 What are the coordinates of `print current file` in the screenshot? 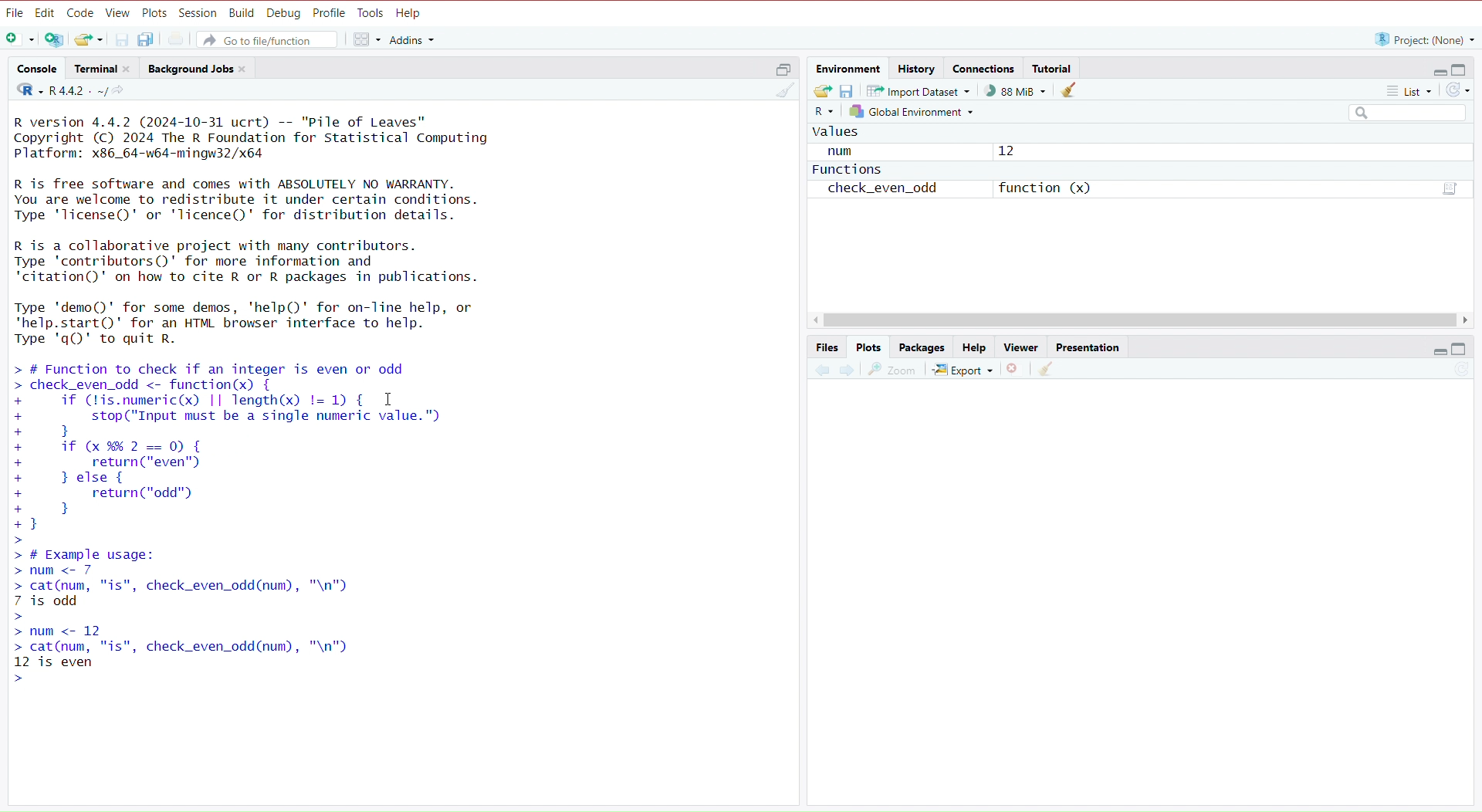 It's located at (178, 39).